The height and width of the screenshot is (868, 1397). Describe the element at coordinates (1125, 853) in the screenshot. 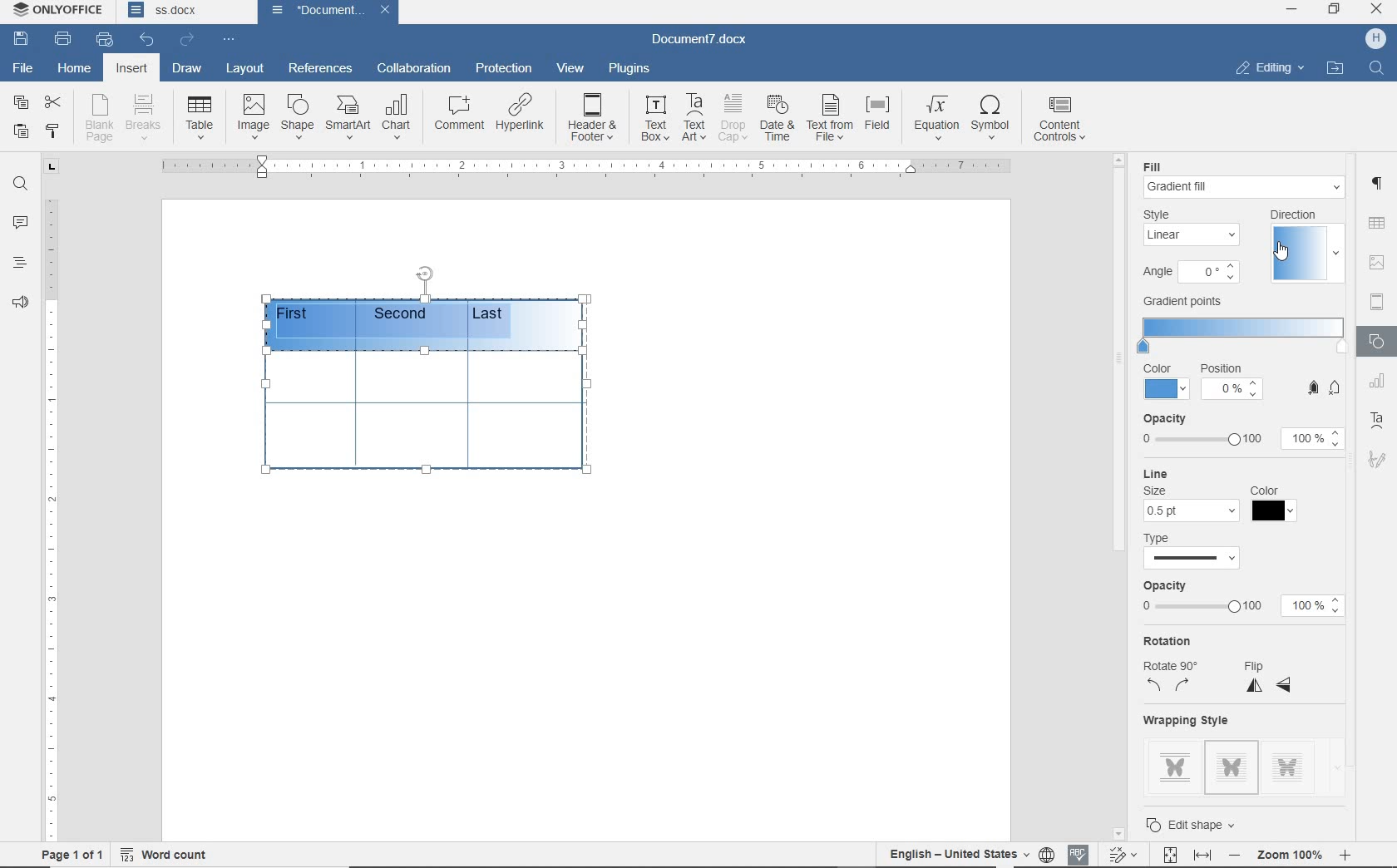

I see `track changes` at that location.